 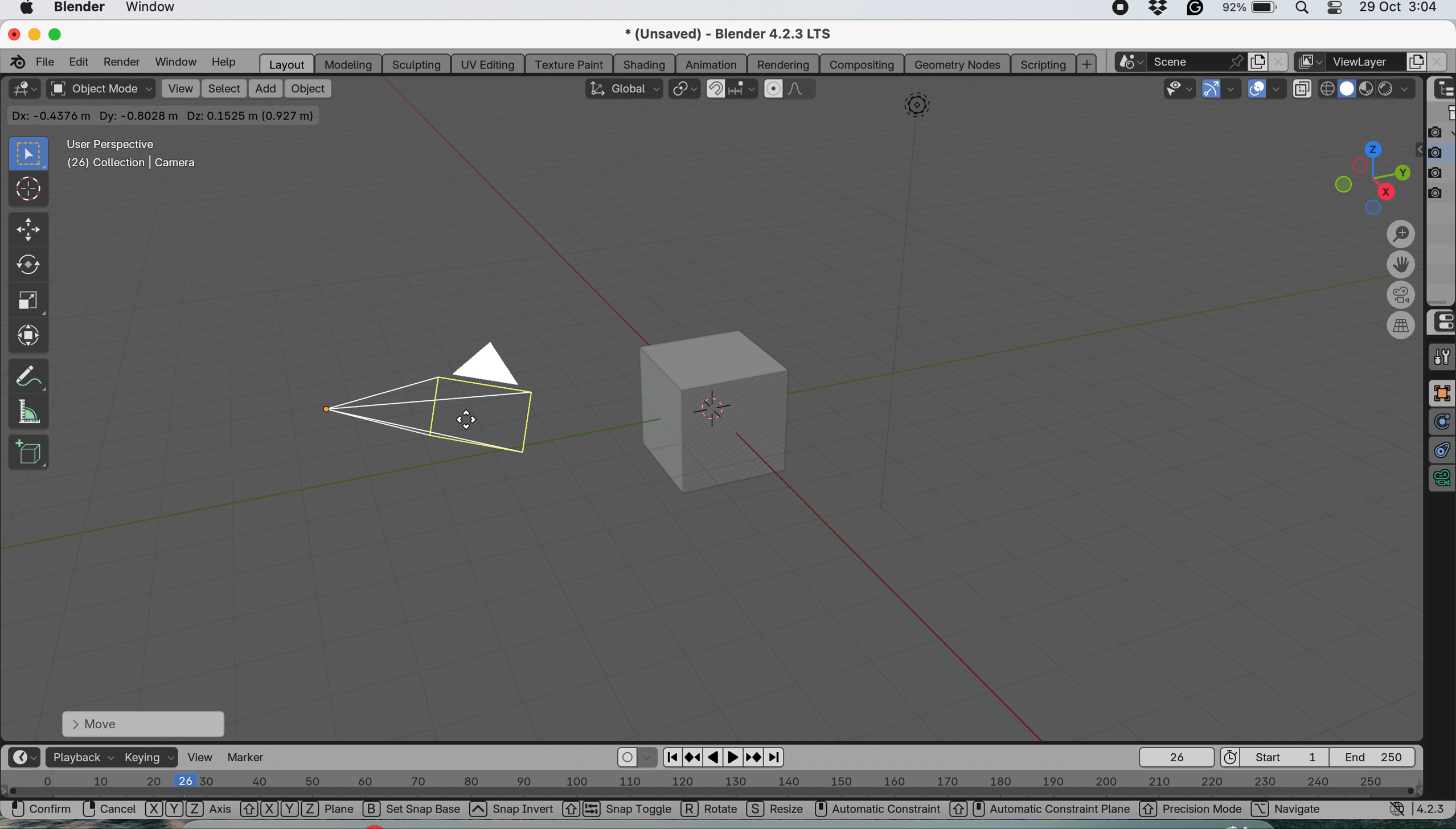 What do you see at coordinates (224, 89) in the screenshot?
I see `select` at bounding box center [224, 89].